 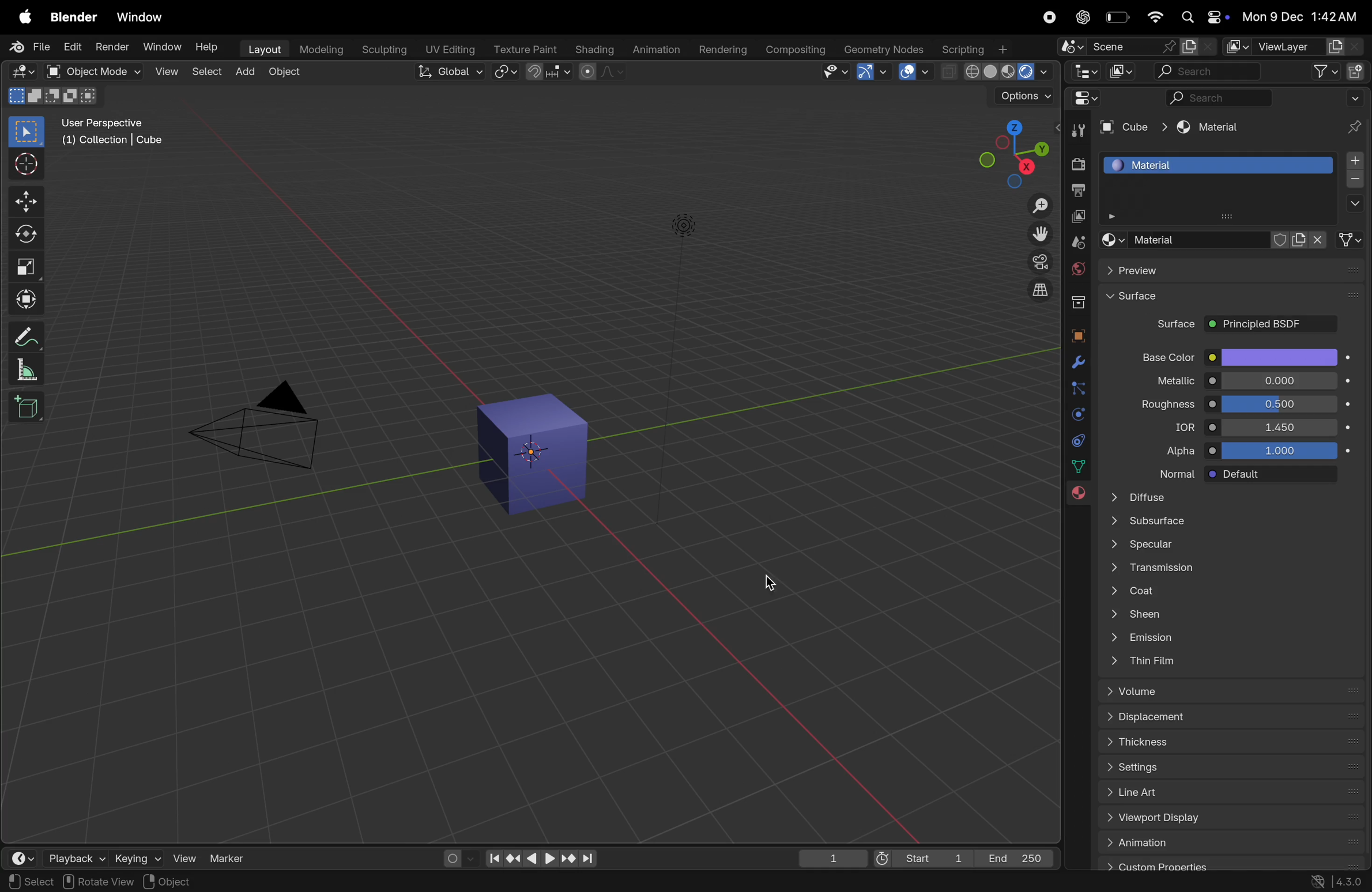 What do you see at coordinates (1174, 429) in the screenshot?
I see `idr` at bounding box center [1174, 429].